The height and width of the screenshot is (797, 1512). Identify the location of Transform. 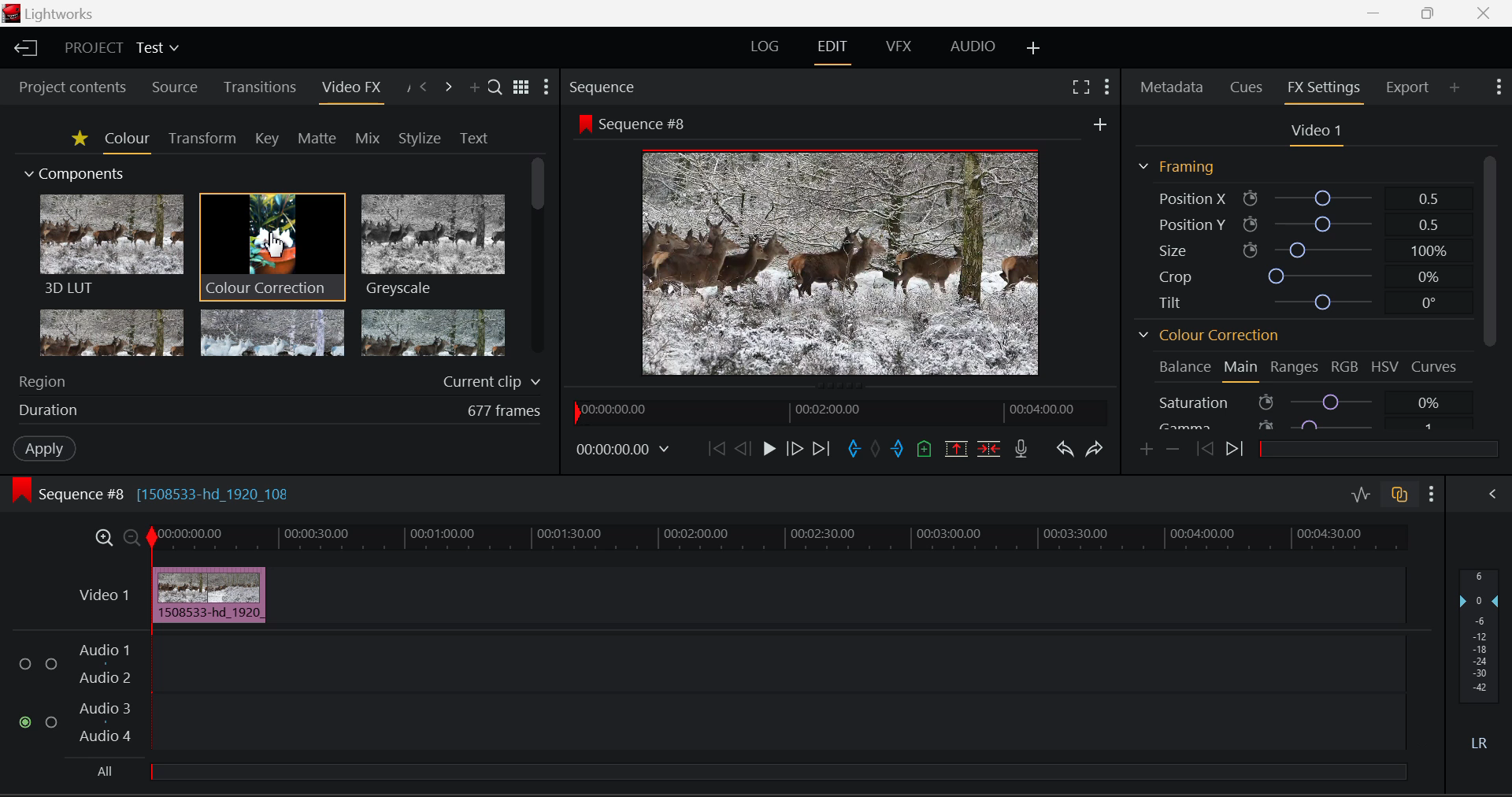
(202, 139).